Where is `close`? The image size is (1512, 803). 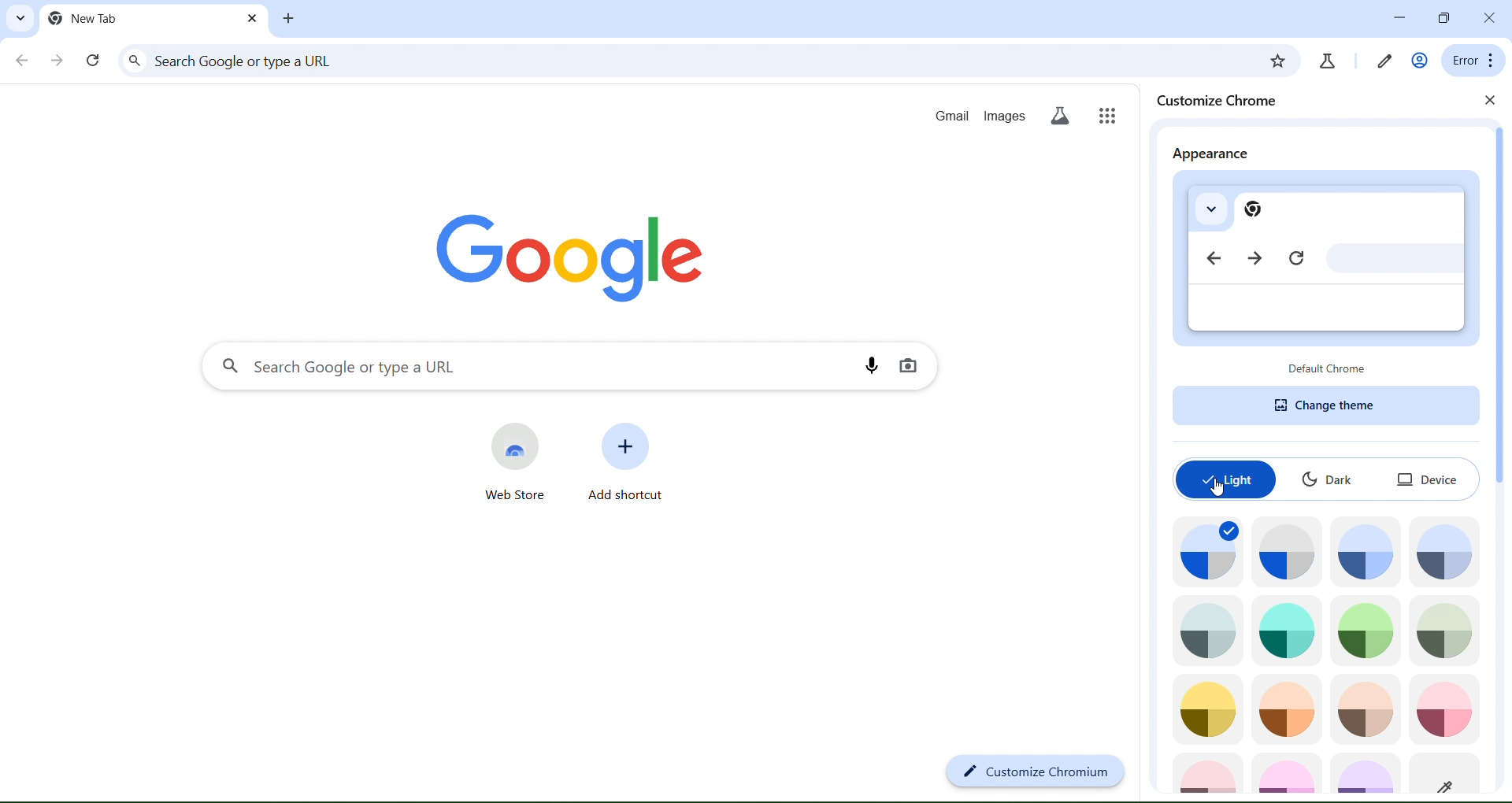
close is located at coordinates (1492, 17).